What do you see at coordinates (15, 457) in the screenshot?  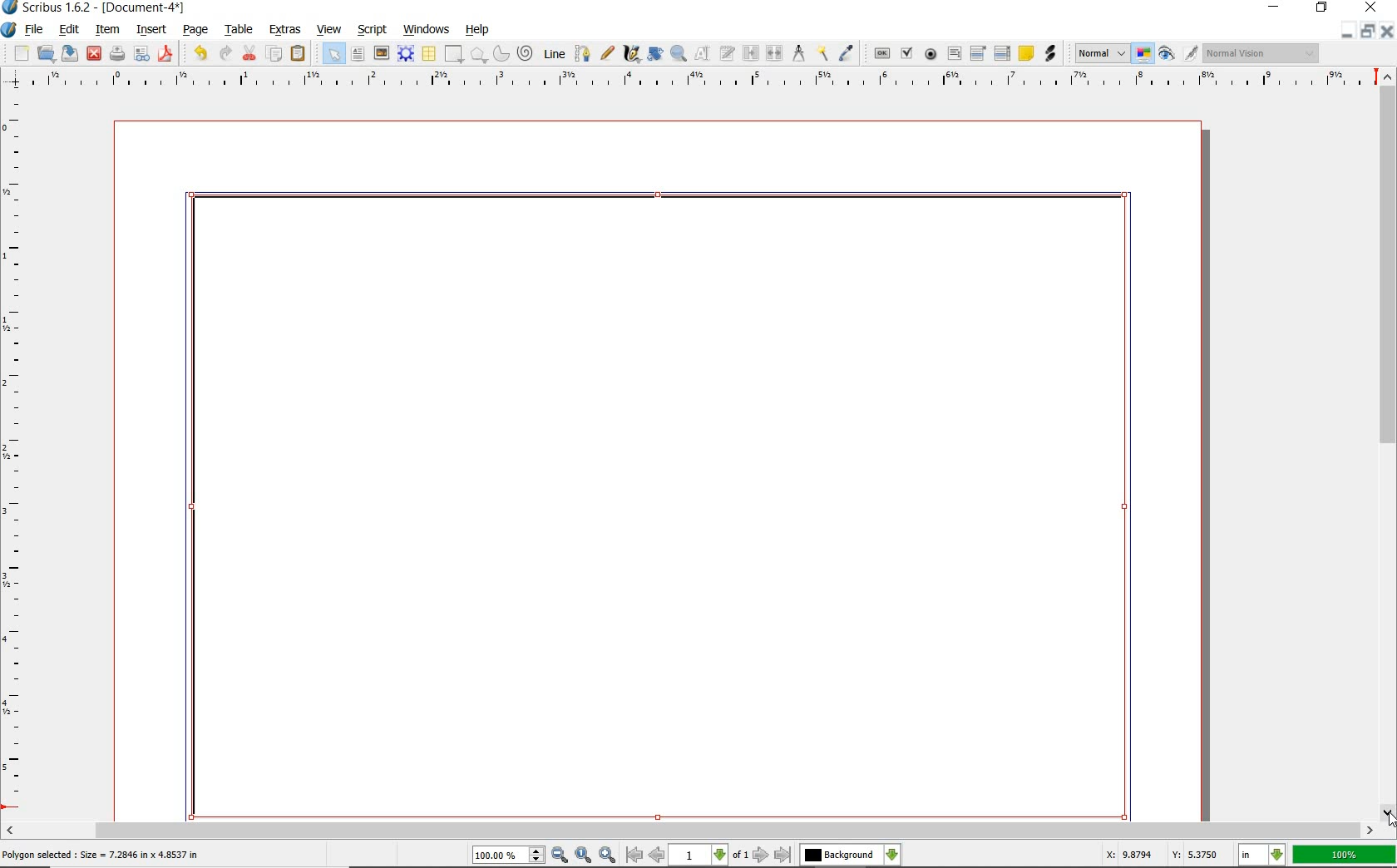 I see `ruler` at bounding box center [15, 457].